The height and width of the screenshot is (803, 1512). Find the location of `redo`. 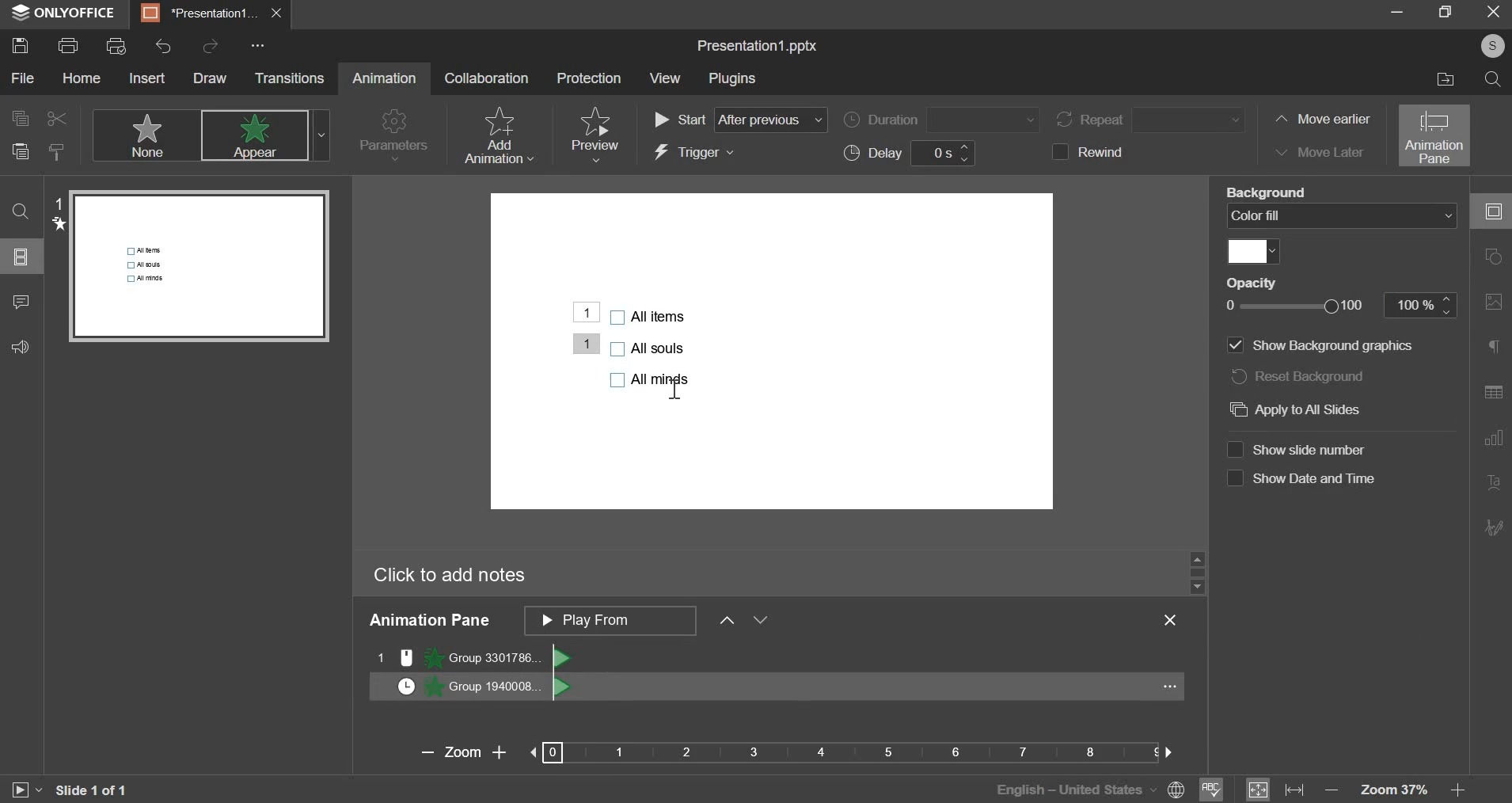

redo is located at coordinates (209, 44).